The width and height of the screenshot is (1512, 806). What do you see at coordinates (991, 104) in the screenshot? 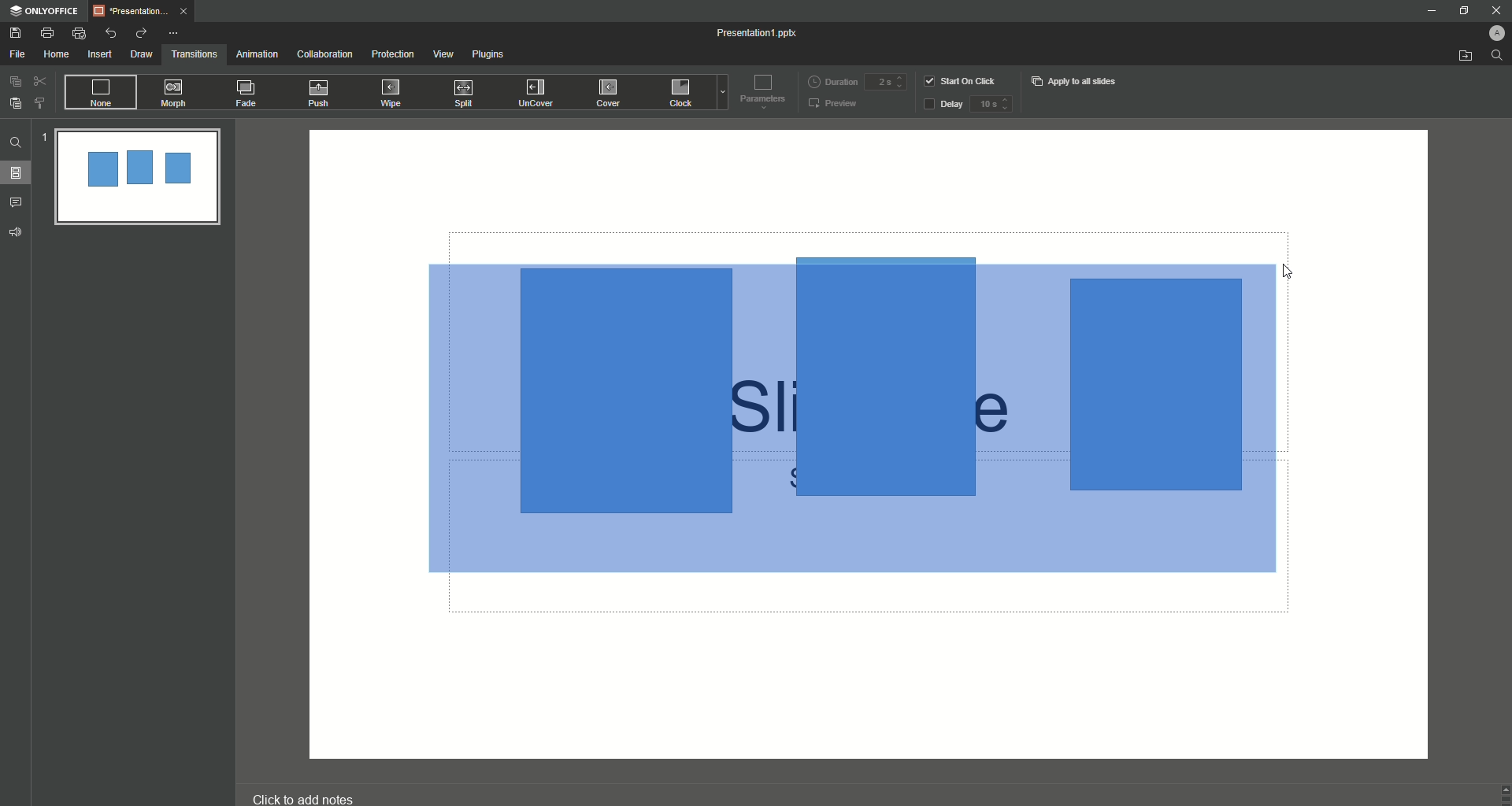
I see `delay input` at bounding box center [991, 104].